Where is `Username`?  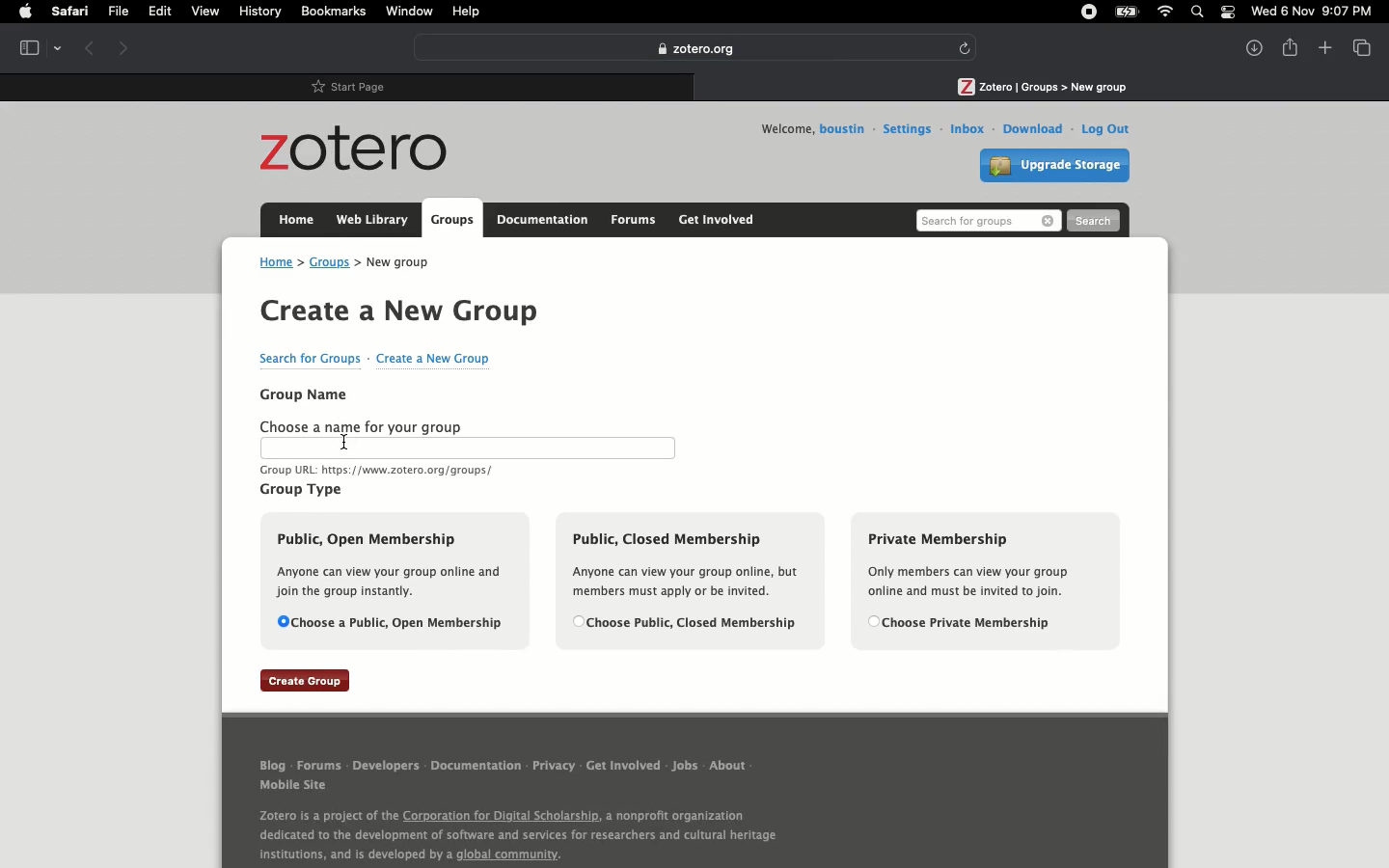
Username is located at coordinates (844, 129).